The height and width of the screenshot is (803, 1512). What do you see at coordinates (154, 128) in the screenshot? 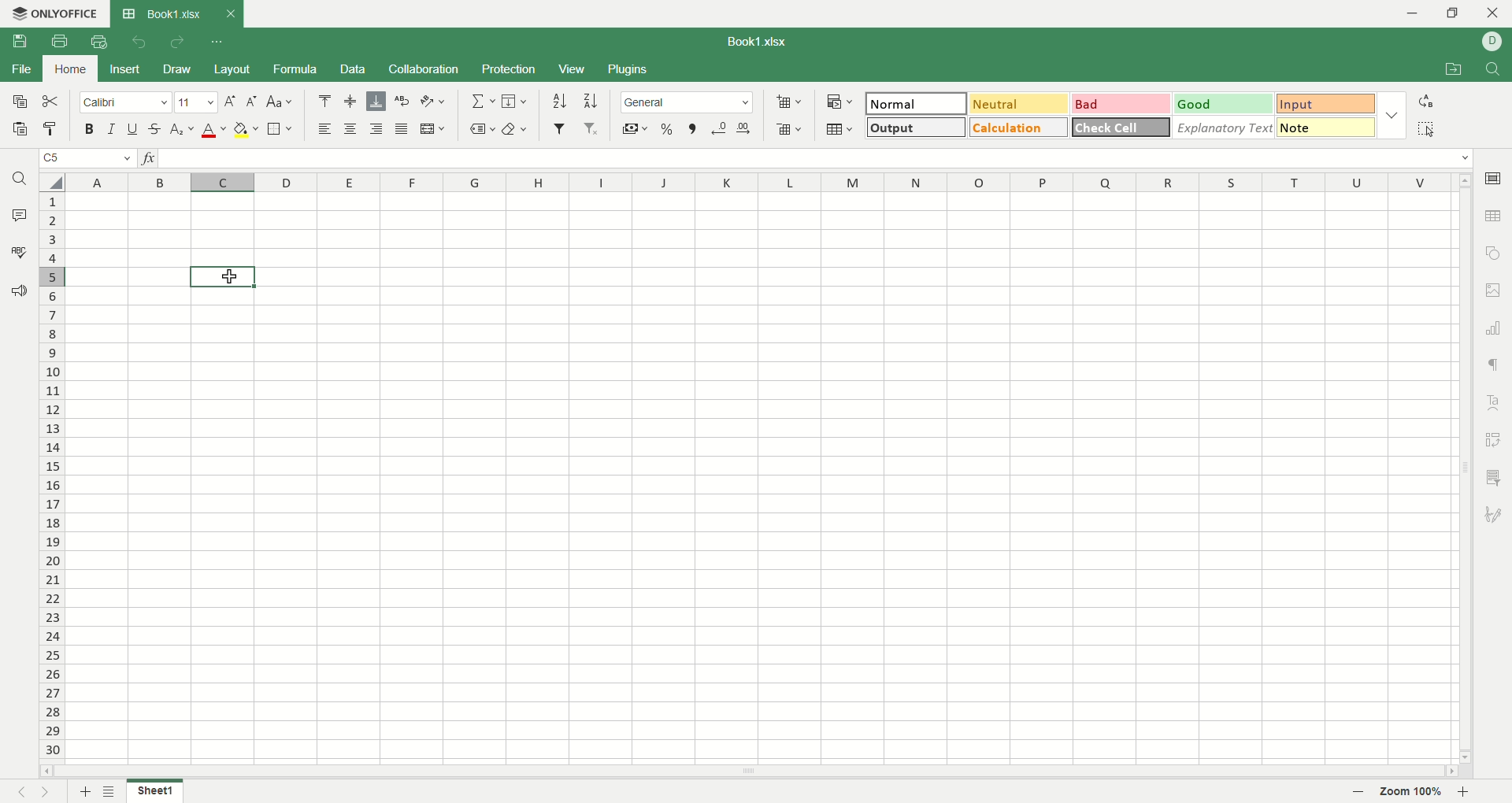
I see `strikethrough` at bounding box center [154, 128].